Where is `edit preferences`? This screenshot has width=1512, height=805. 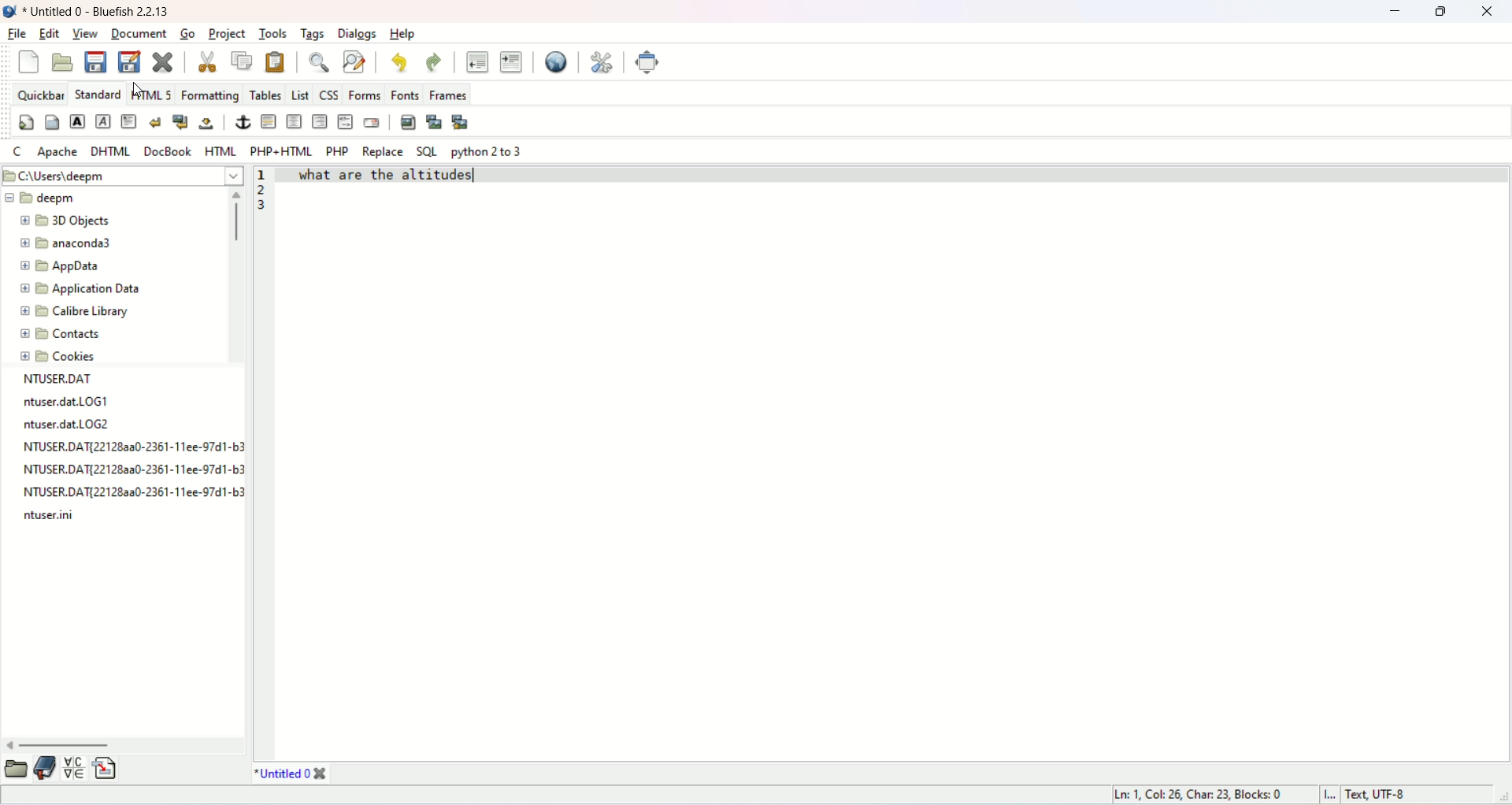
edit preferences is located at coordinates (602, 61).